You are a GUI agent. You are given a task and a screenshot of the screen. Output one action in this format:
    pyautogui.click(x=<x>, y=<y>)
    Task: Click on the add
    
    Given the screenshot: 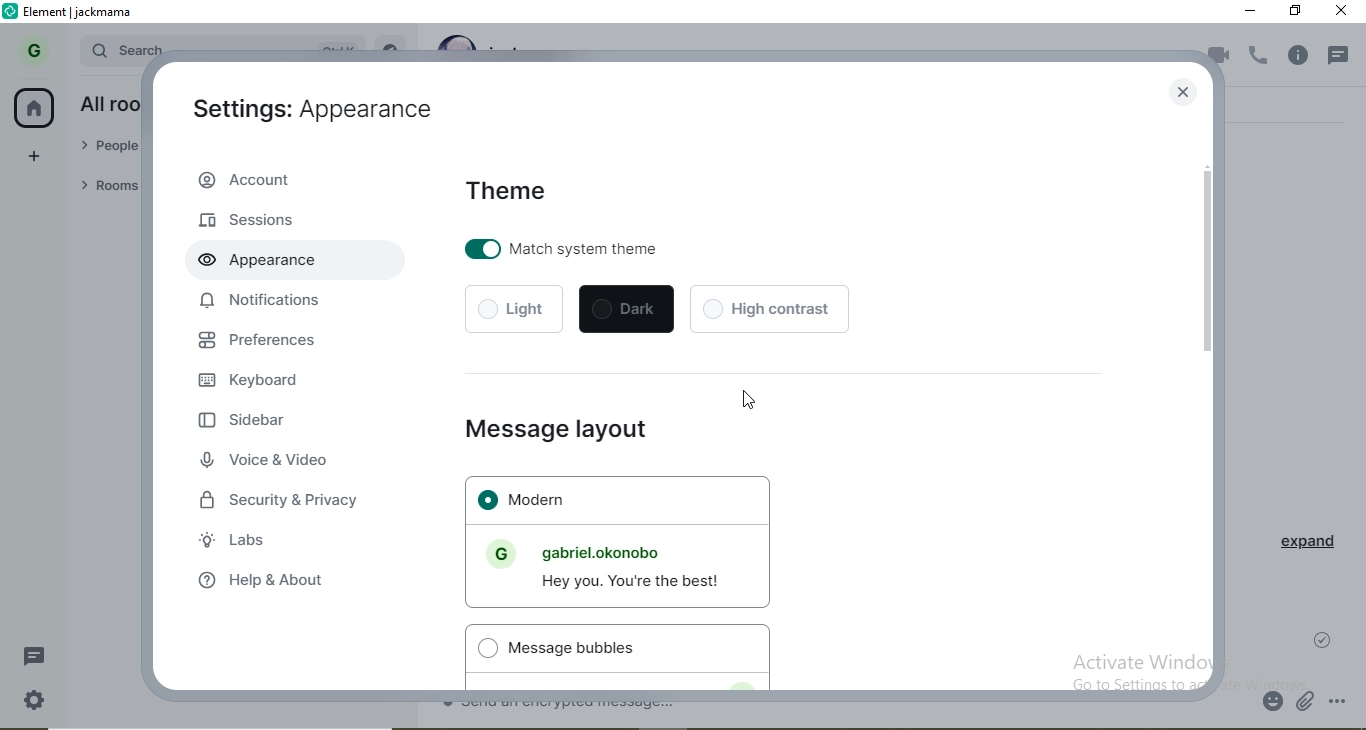 What is the action you would take?
    pyautogui.click(x=36, y=157)
    